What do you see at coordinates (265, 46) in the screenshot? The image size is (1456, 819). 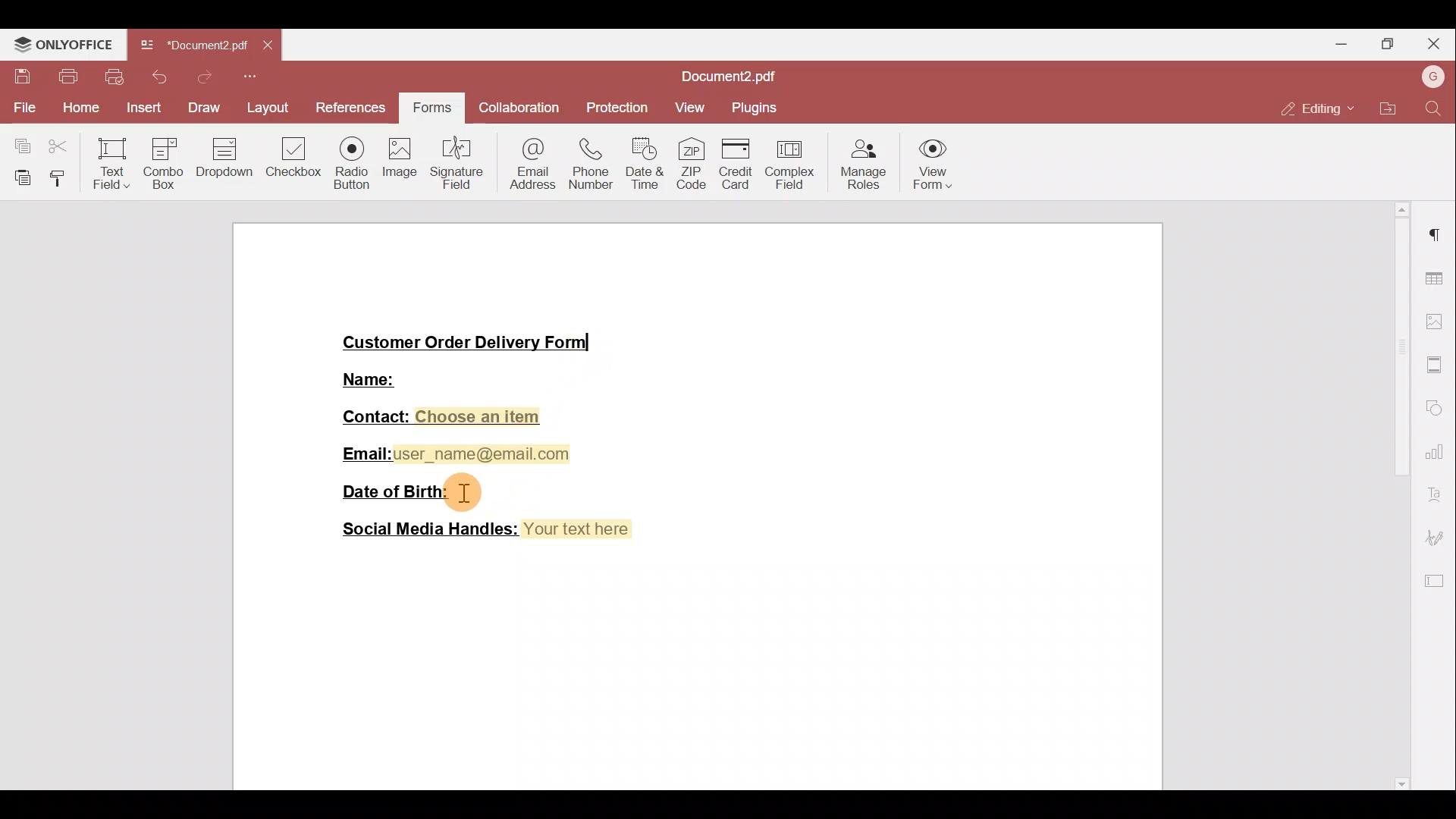 I see `Close tab` at bounding box center [265, 46].